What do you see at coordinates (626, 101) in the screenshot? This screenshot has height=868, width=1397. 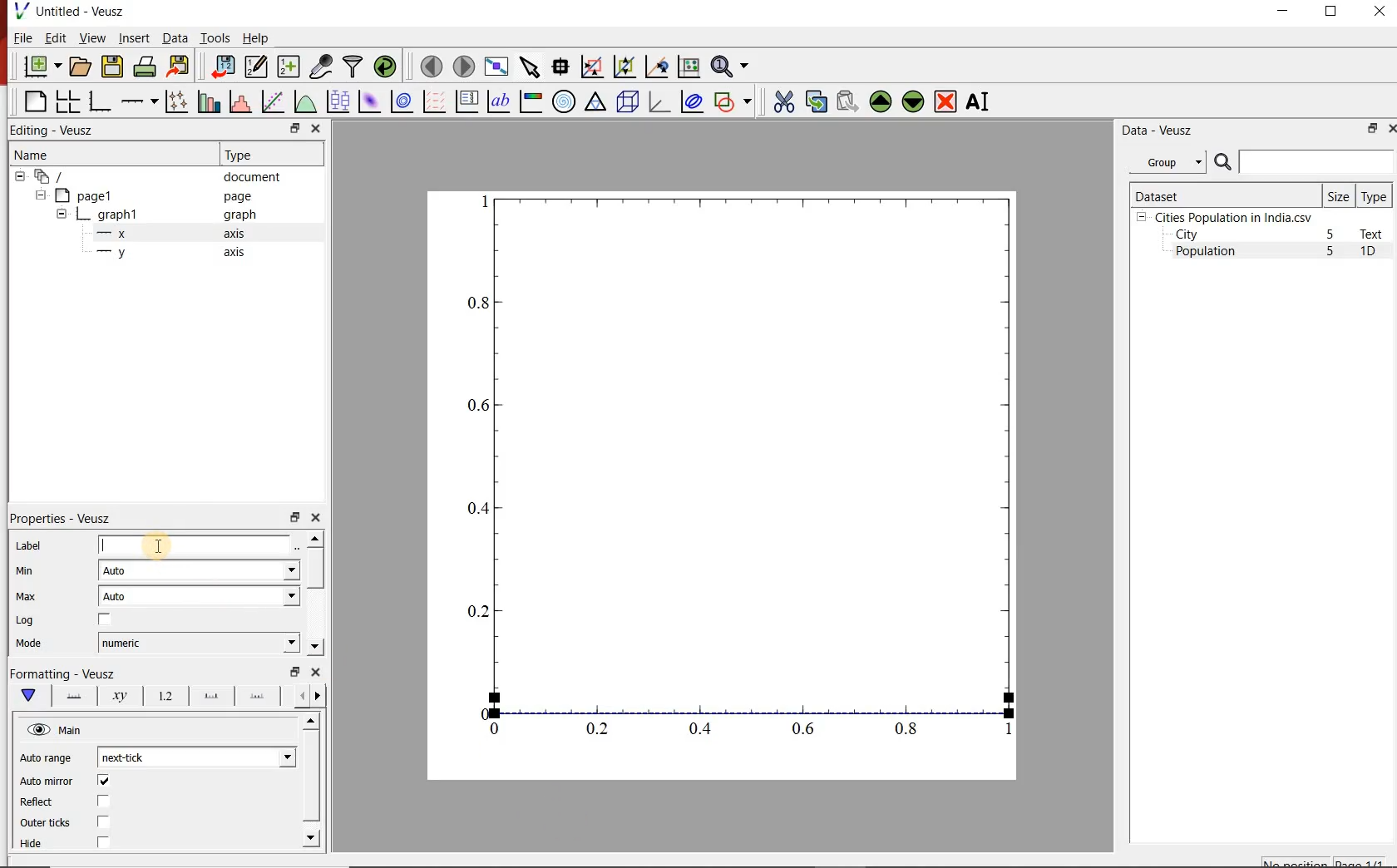 I see `3d scene` at bounding box center [626, 101].